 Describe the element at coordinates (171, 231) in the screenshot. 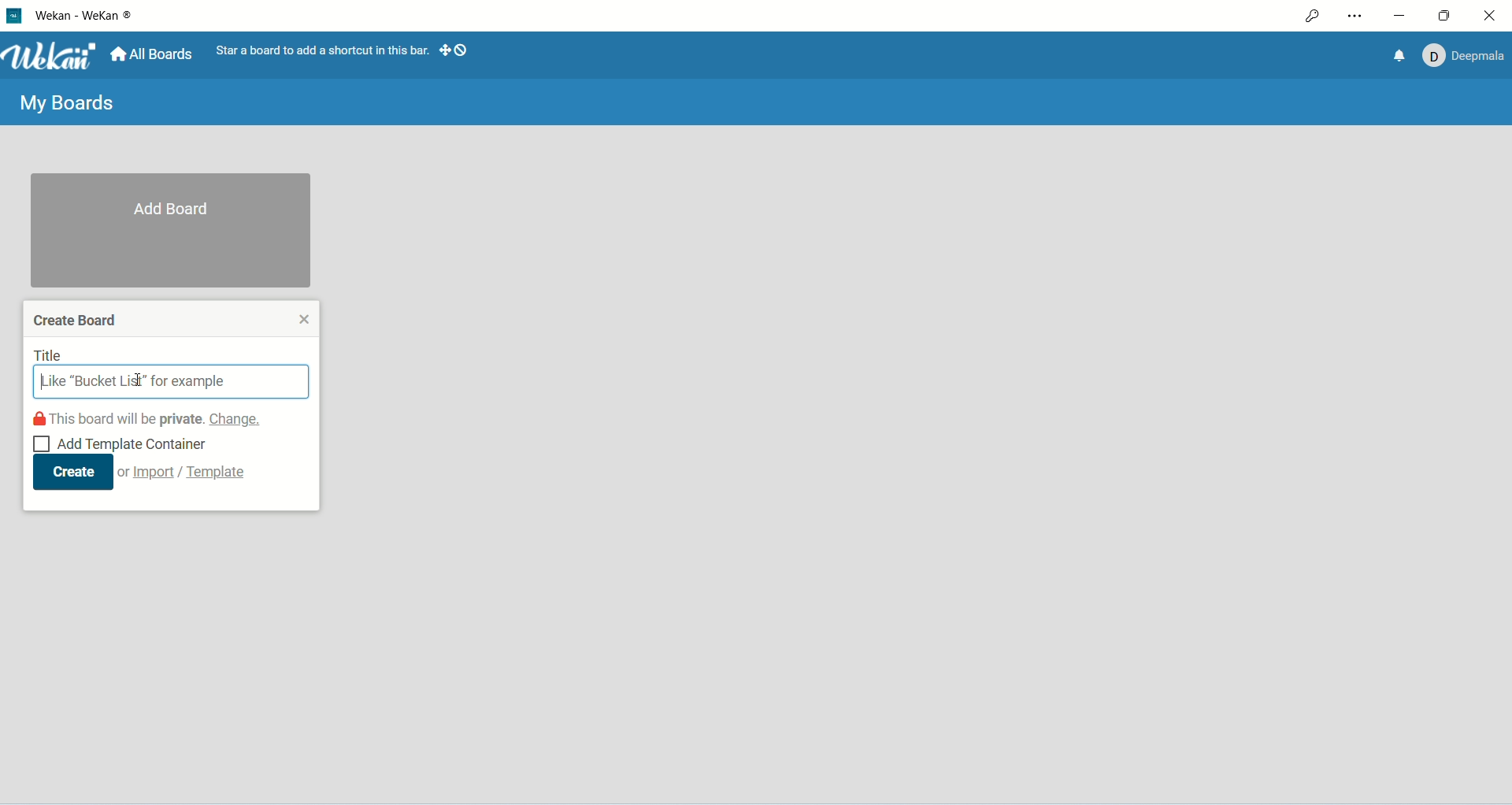

I see `add boards` at that location.